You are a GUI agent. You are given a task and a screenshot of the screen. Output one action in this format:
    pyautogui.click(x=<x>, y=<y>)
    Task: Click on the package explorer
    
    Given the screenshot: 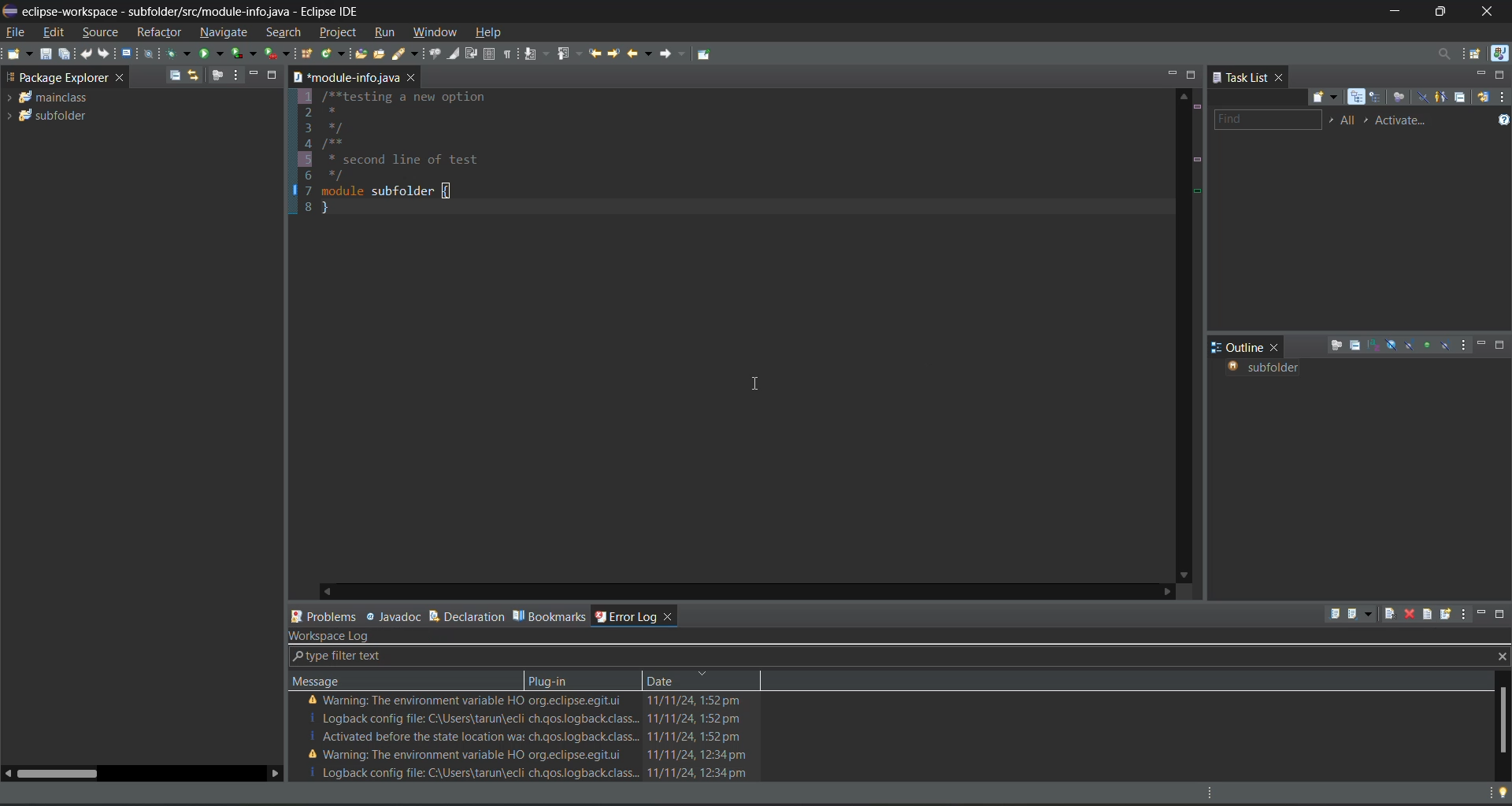 What is the action you would take?
    pyautogui.click(x=56, y=76)
    